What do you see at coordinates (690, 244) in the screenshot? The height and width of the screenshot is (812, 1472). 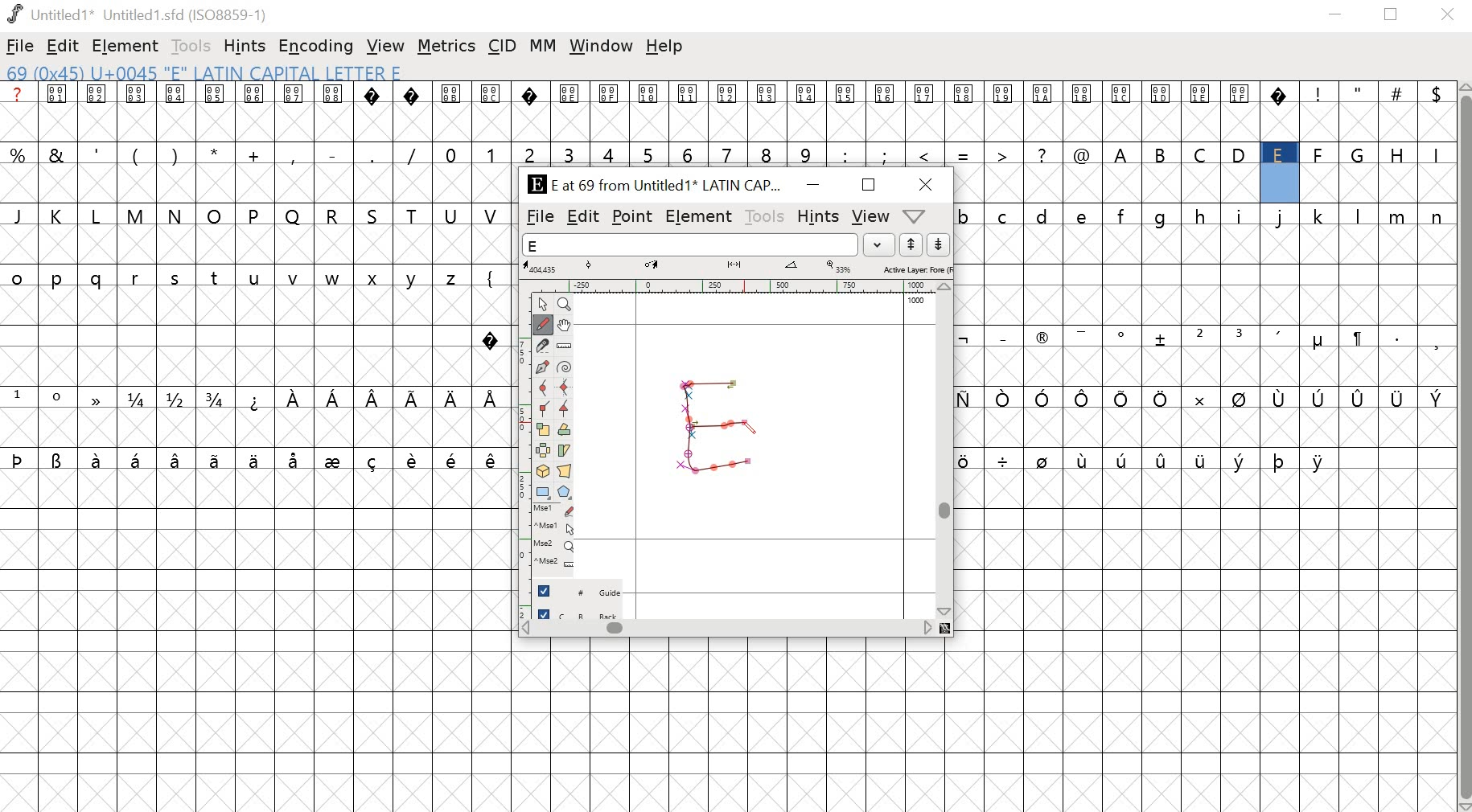 I see `word list field` at bounding box center [690, 244].